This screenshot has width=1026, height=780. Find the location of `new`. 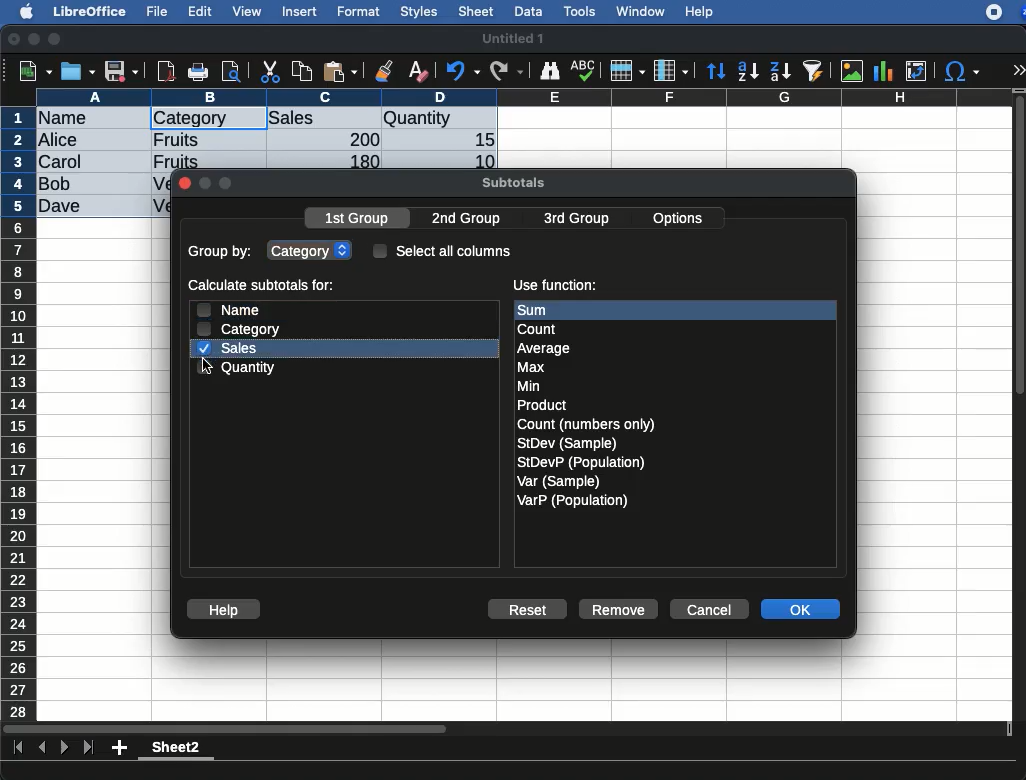

new is located at coordinates (31, 70).